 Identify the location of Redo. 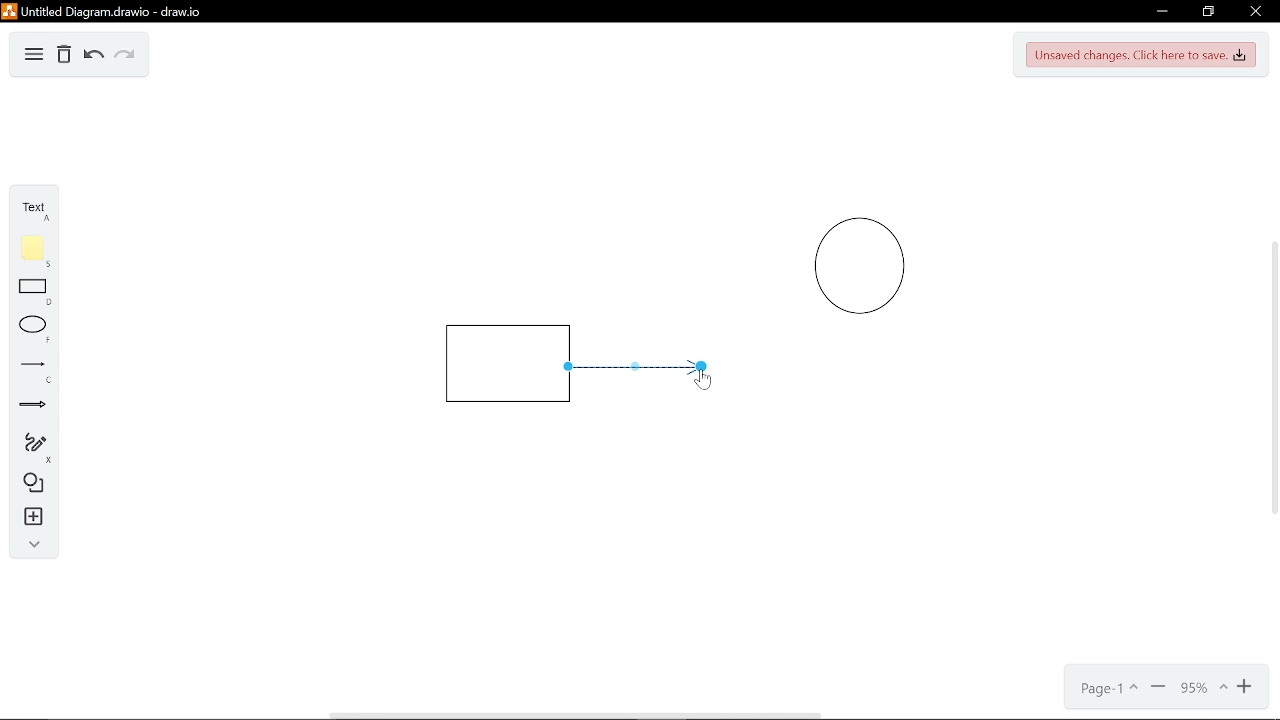
(126, 56).